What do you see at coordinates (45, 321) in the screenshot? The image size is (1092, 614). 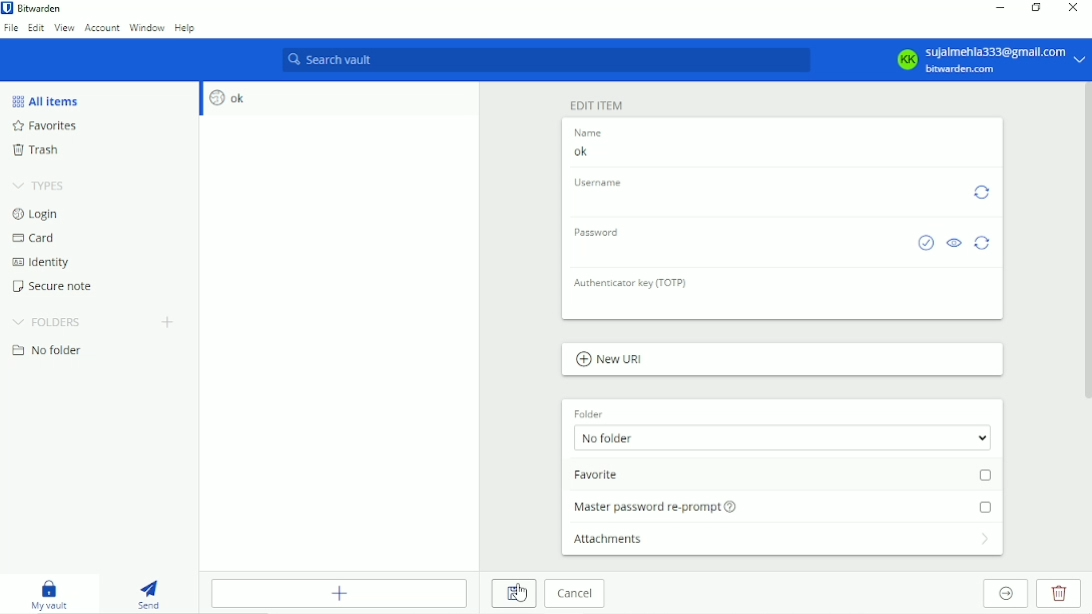 I see `Folders` at bounding box center [45, 321].